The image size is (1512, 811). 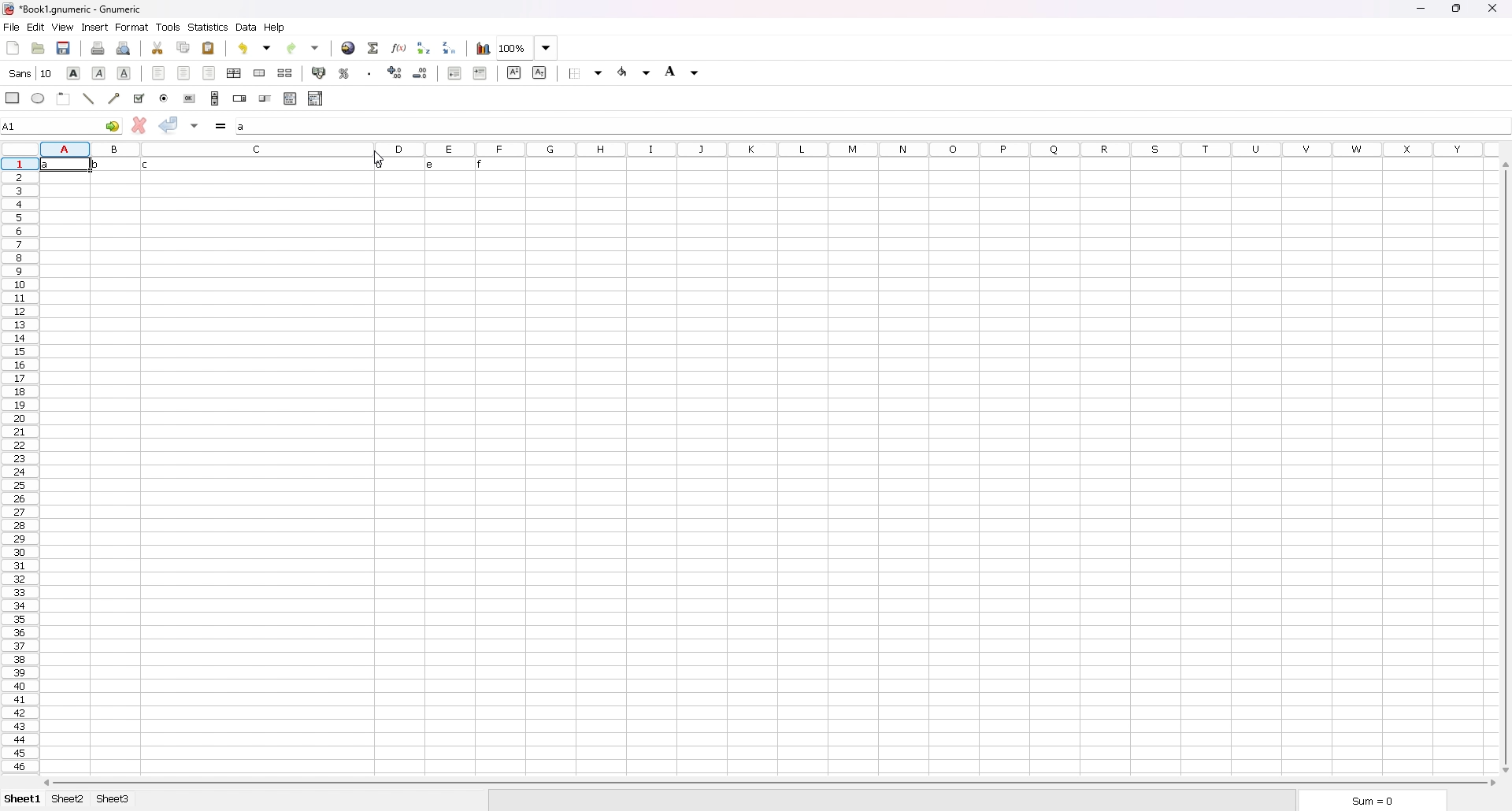 What do you see at coordinates (196, 126) in the screenshot?
I see `accept changes in all cells` at bounding box center [196, 126].